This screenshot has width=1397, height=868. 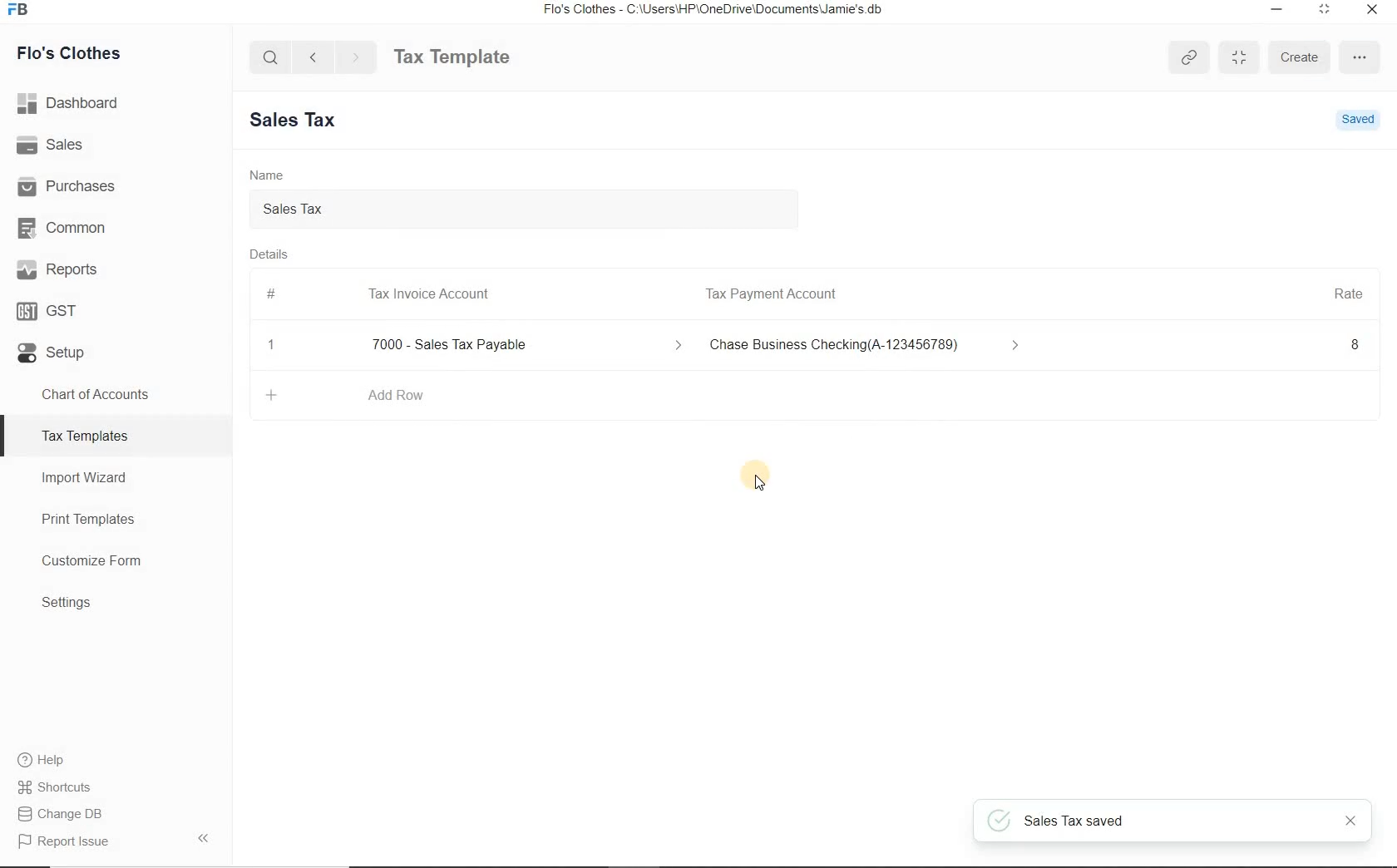 What do you see at coordinates (1360, 57) in the screenshot?
I see `More` at bounding box center [1360, 57].